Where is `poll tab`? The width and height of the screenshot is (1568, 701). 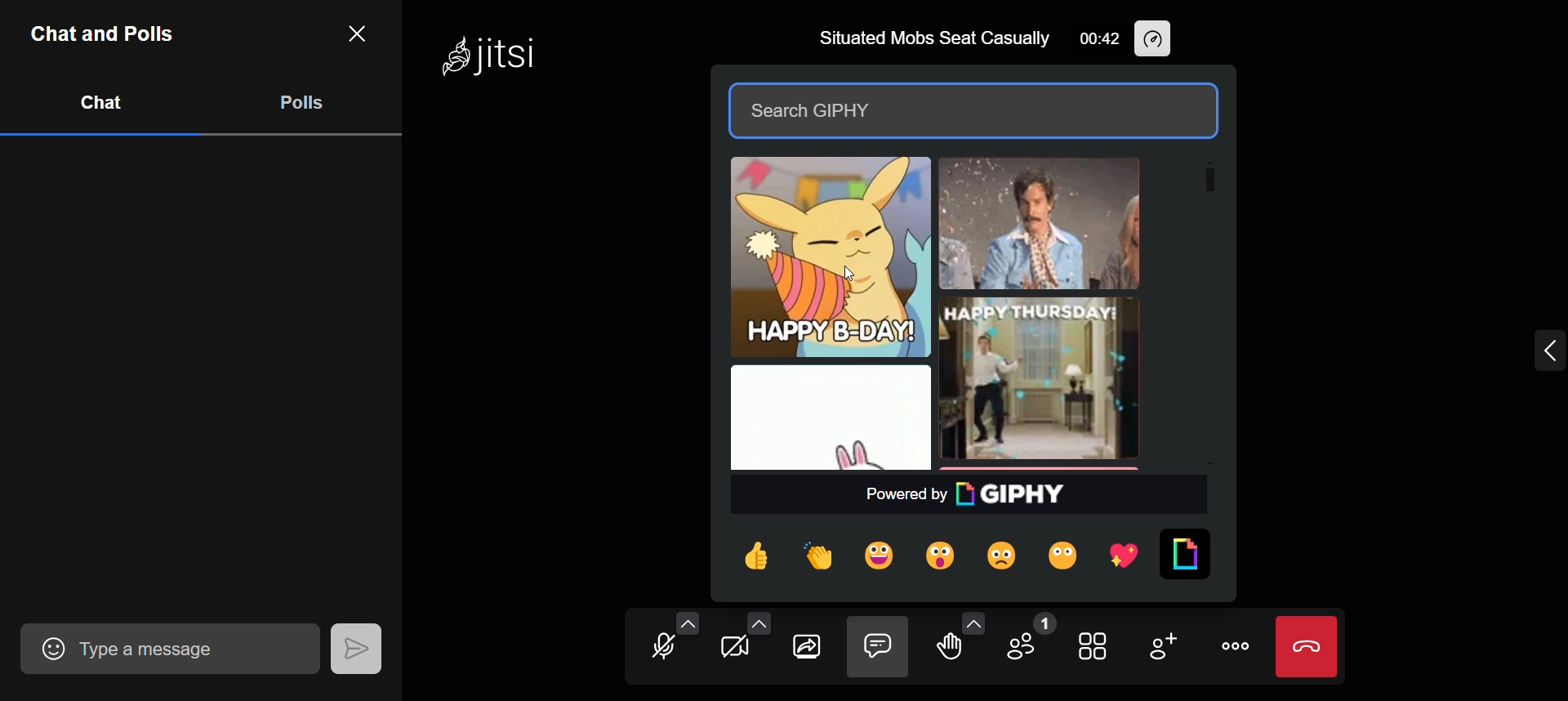 poll tab is located at coordinates (303, 101).